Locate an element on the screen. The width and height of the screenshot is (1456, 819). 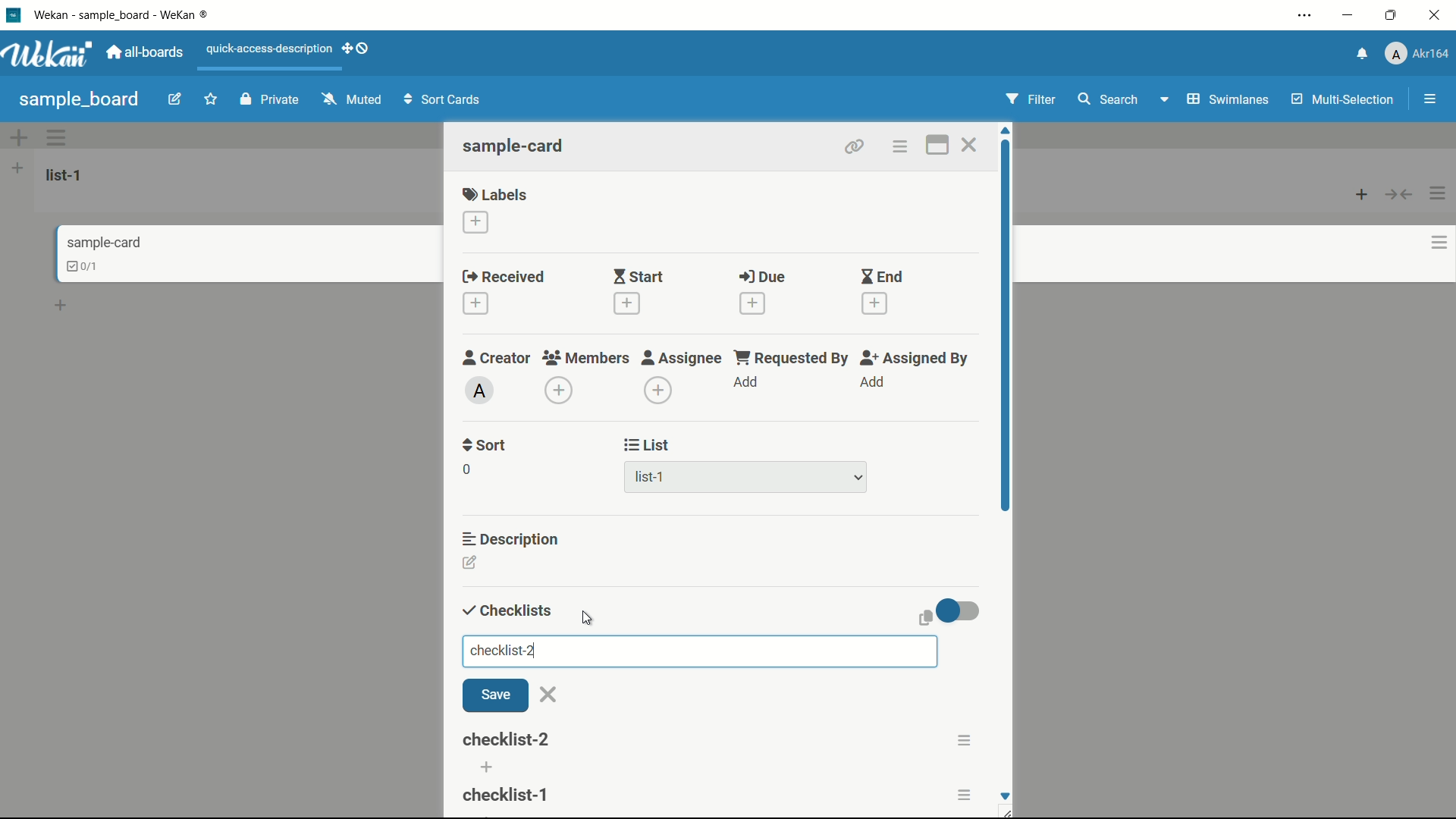
add checklist is located at coordinates (489, 767).